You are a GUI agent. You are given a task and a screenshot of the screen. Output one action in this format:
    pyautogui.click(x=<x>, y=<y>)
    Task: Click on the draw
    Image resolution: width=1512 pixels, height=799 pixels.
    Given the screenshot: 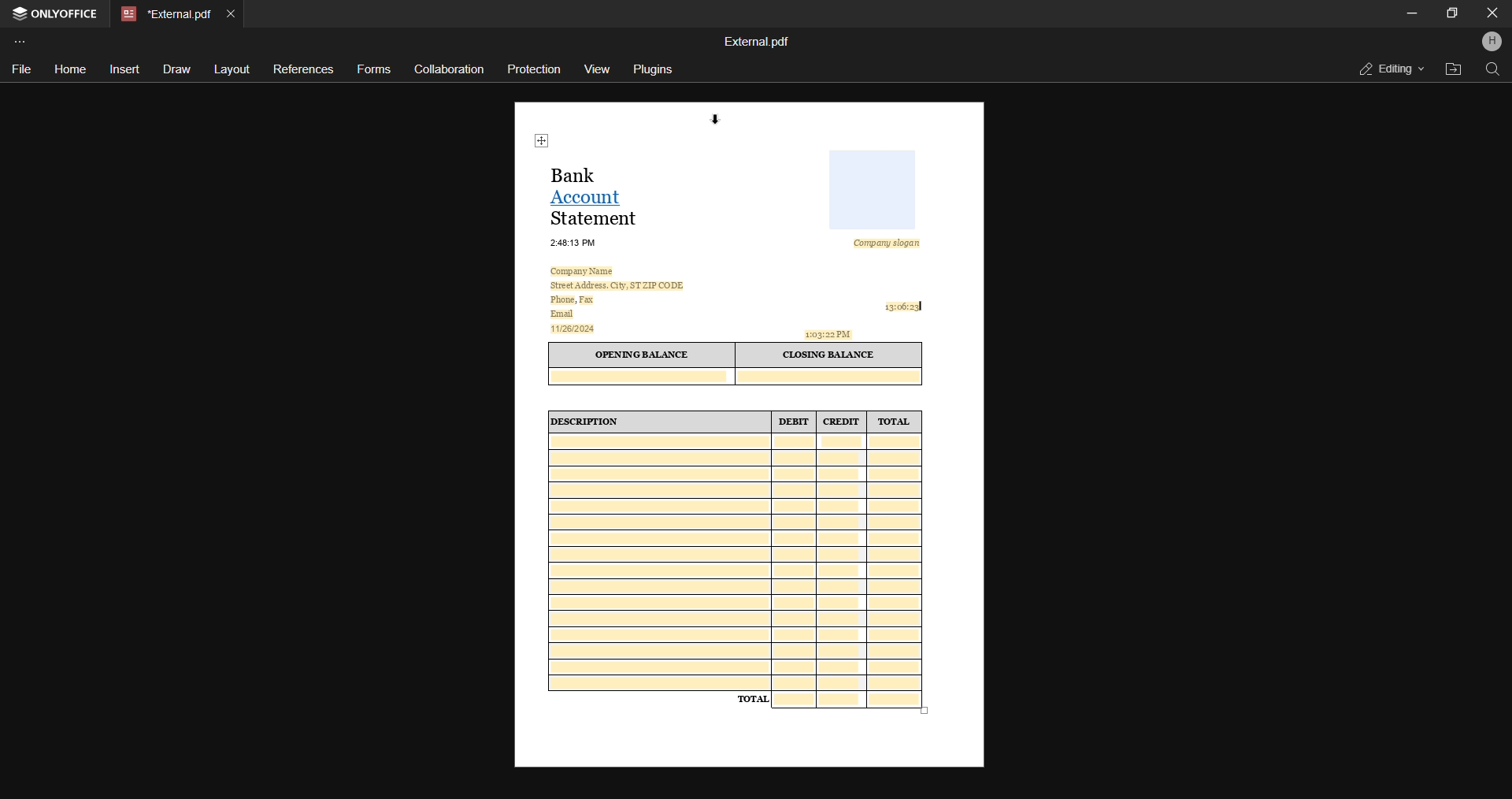 What is the action you would take?
    pyautogui.click(x=174, y=69)
    